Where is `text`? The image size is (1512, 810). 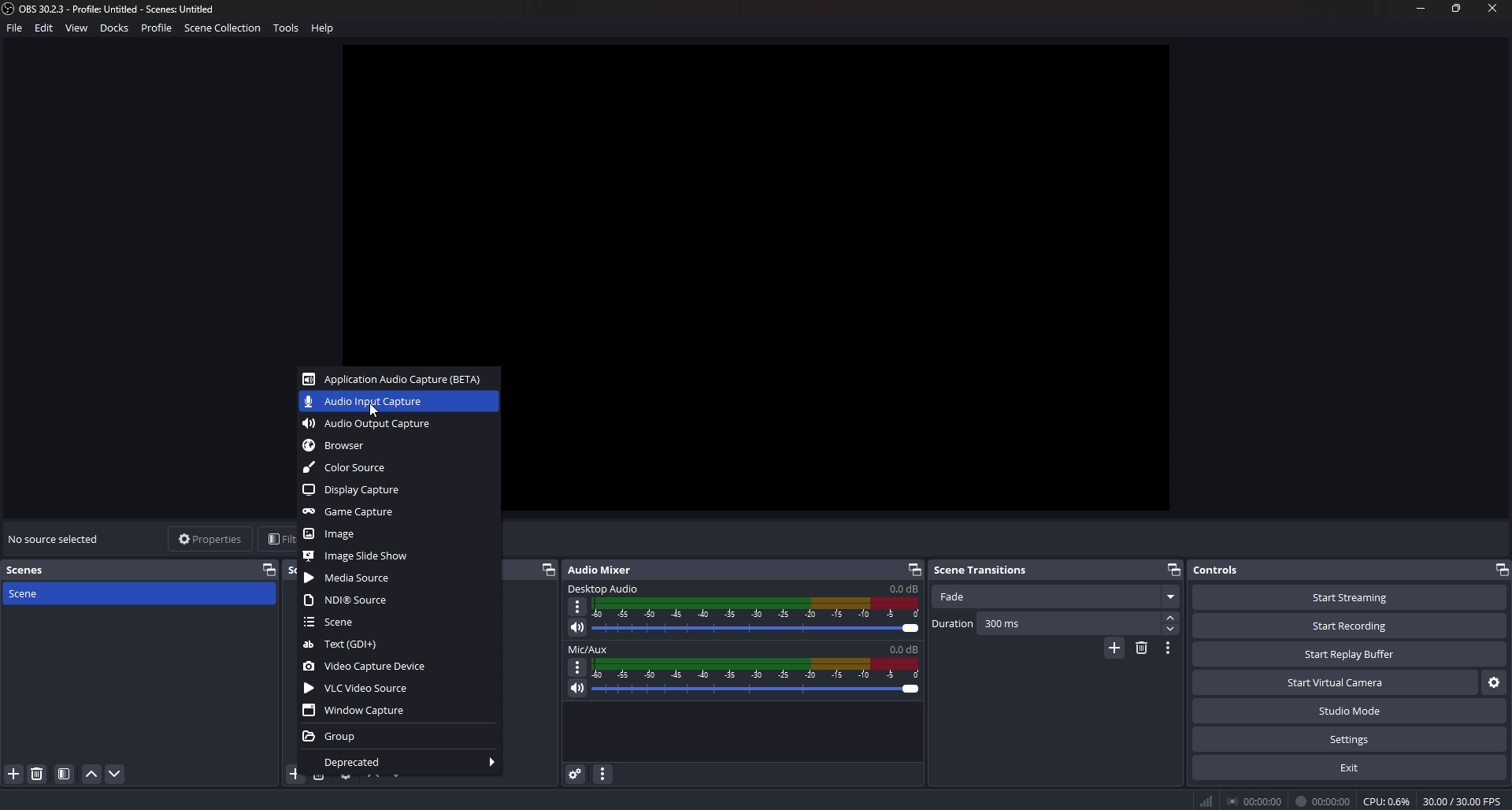
text is located at coordinates (399, 645).